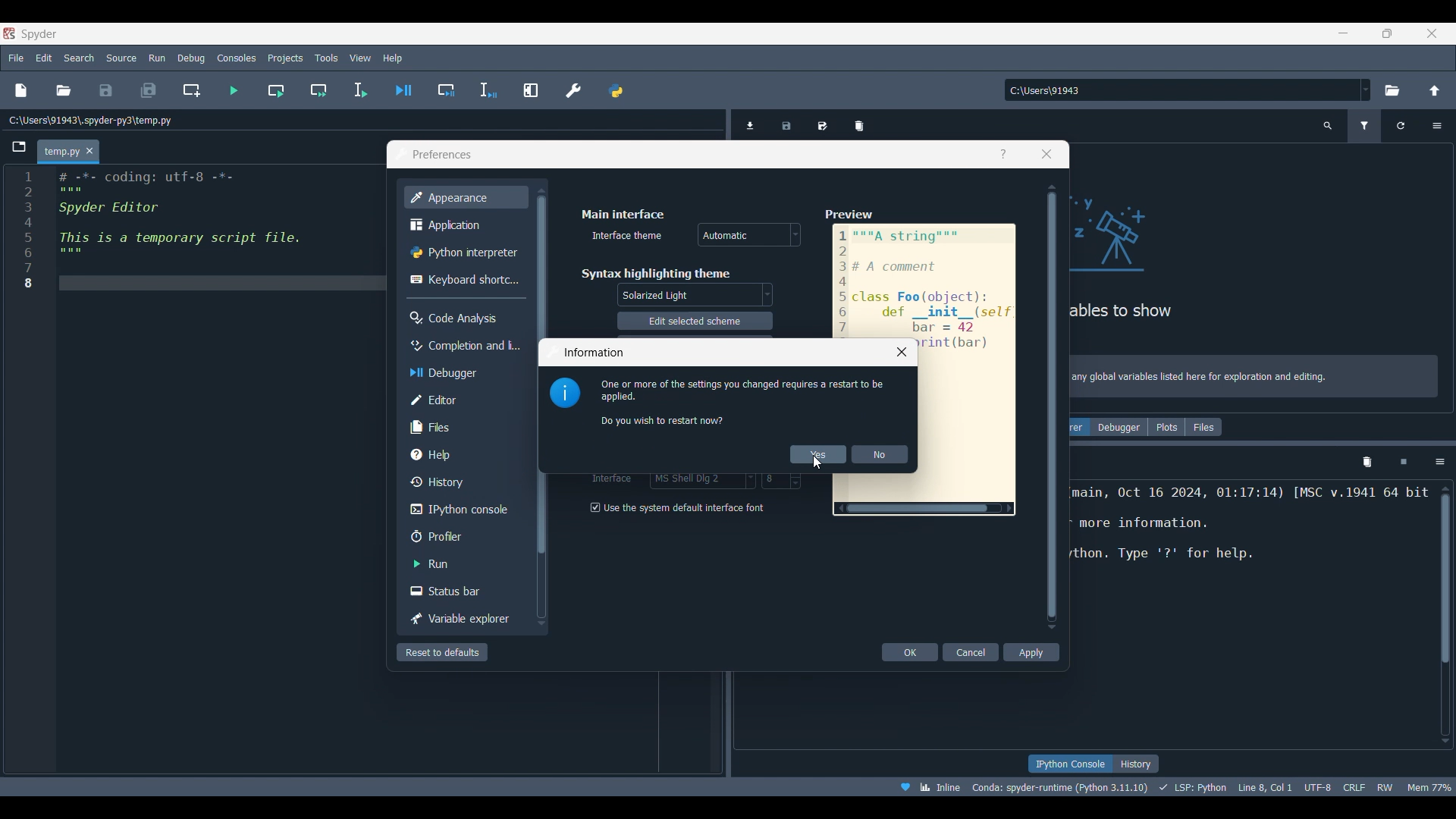 Image resolution: width=1456 pixels, height=819 pixels. Describe the element at coordinates (1057, 787) in the screenshot. I see `interpreter` at that location.